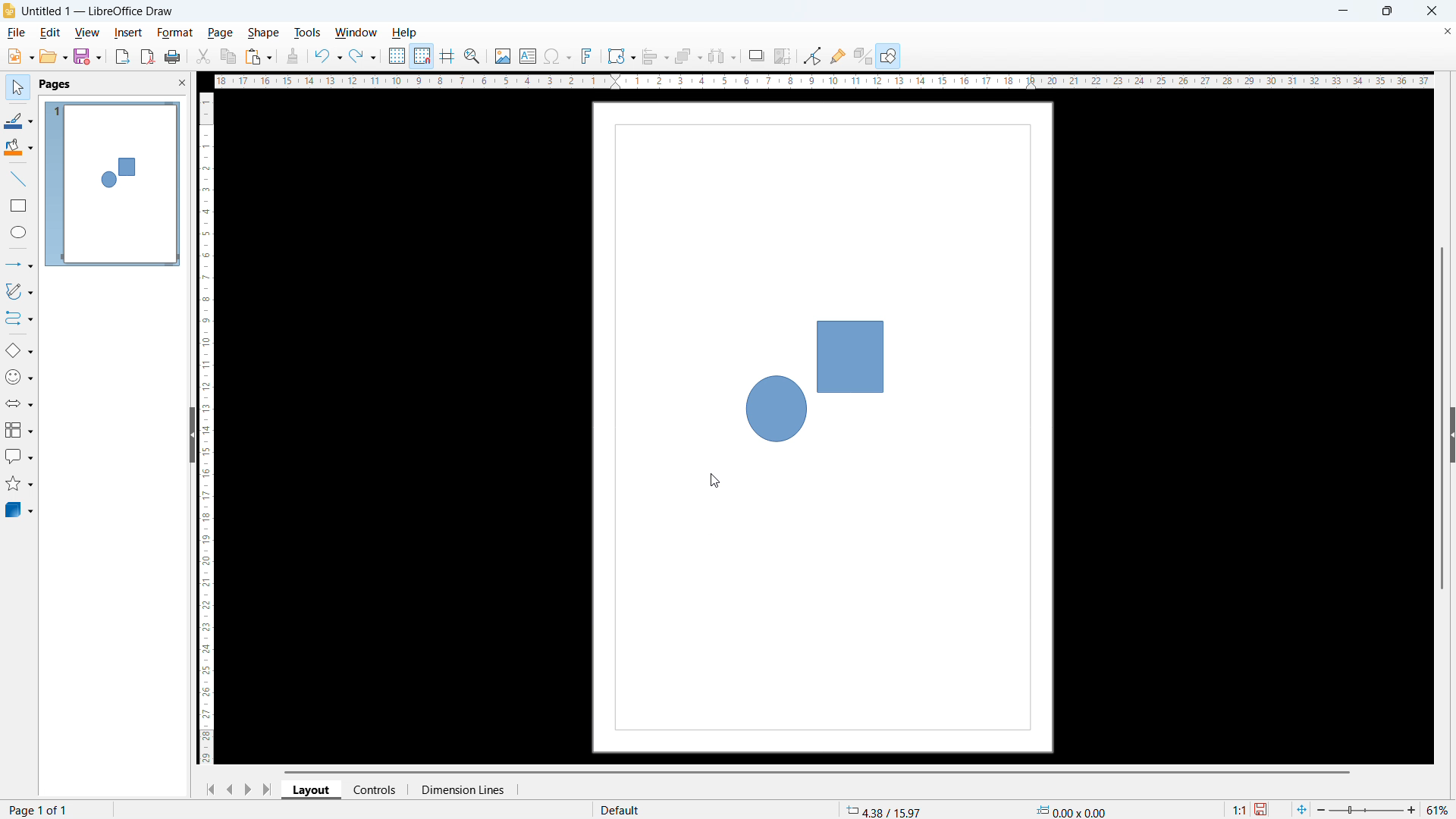 Image resolution: width=1456 pixels, height=819 pixels. I want to click on window, so click(356, 33).